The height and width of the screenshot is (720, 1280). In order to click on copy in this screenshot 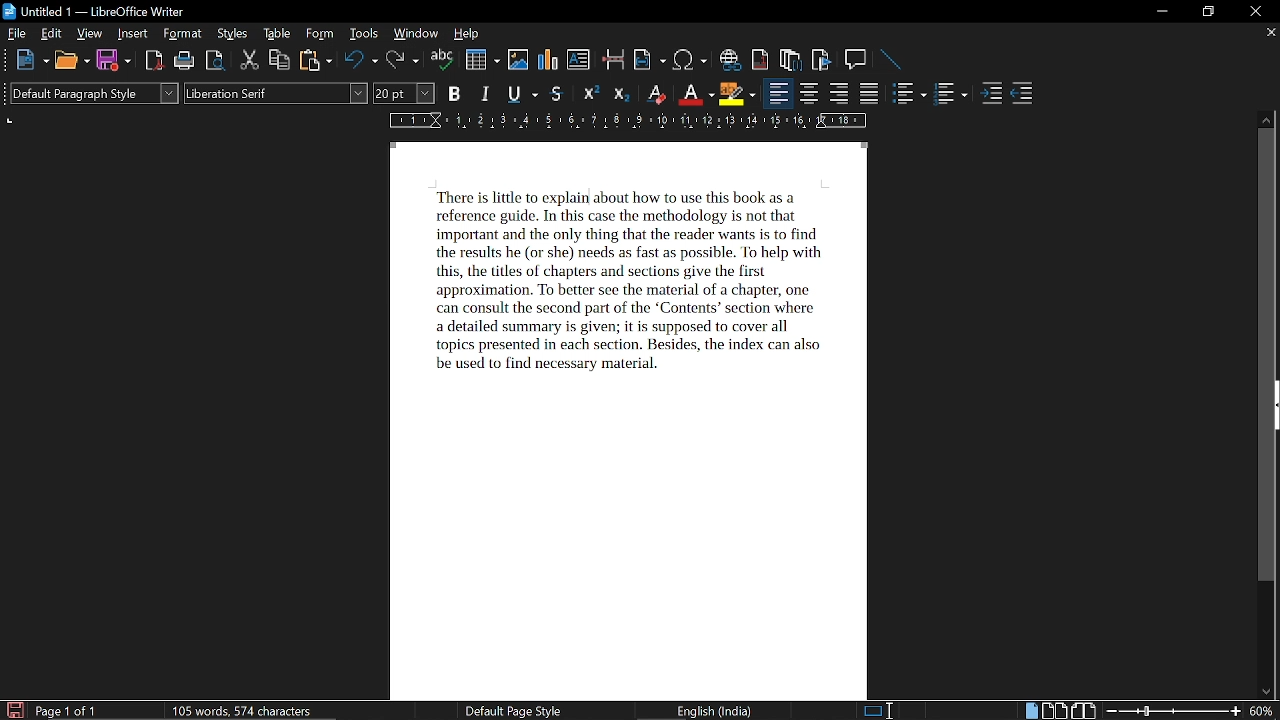, I will do `click(280, 61)`.